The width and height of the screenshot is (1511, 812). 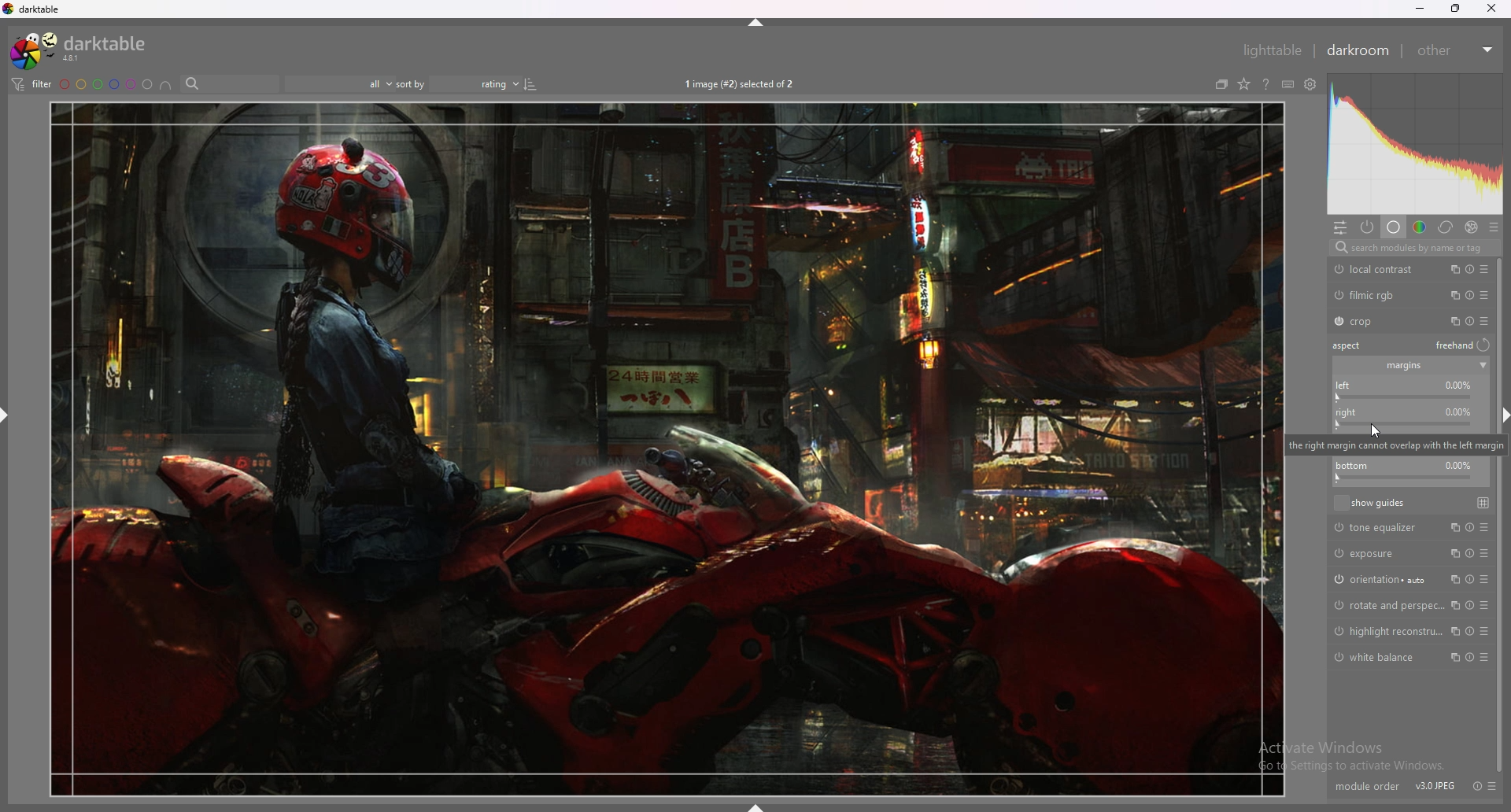 I want to click on presets, so click(x=1484, y=269).